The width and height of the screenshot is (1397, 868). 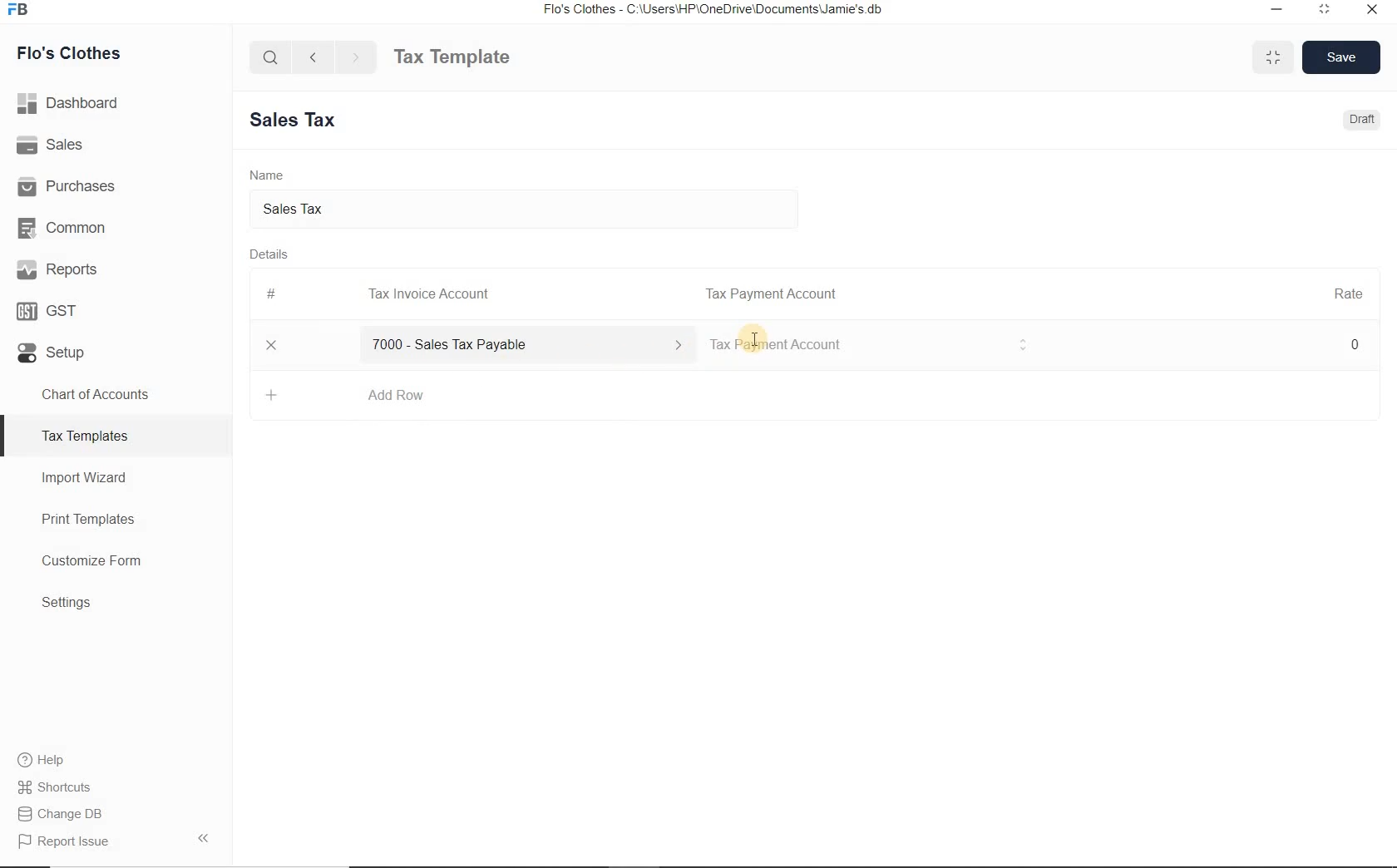 I want to click on Report Issue, so click(x=116, y=841).